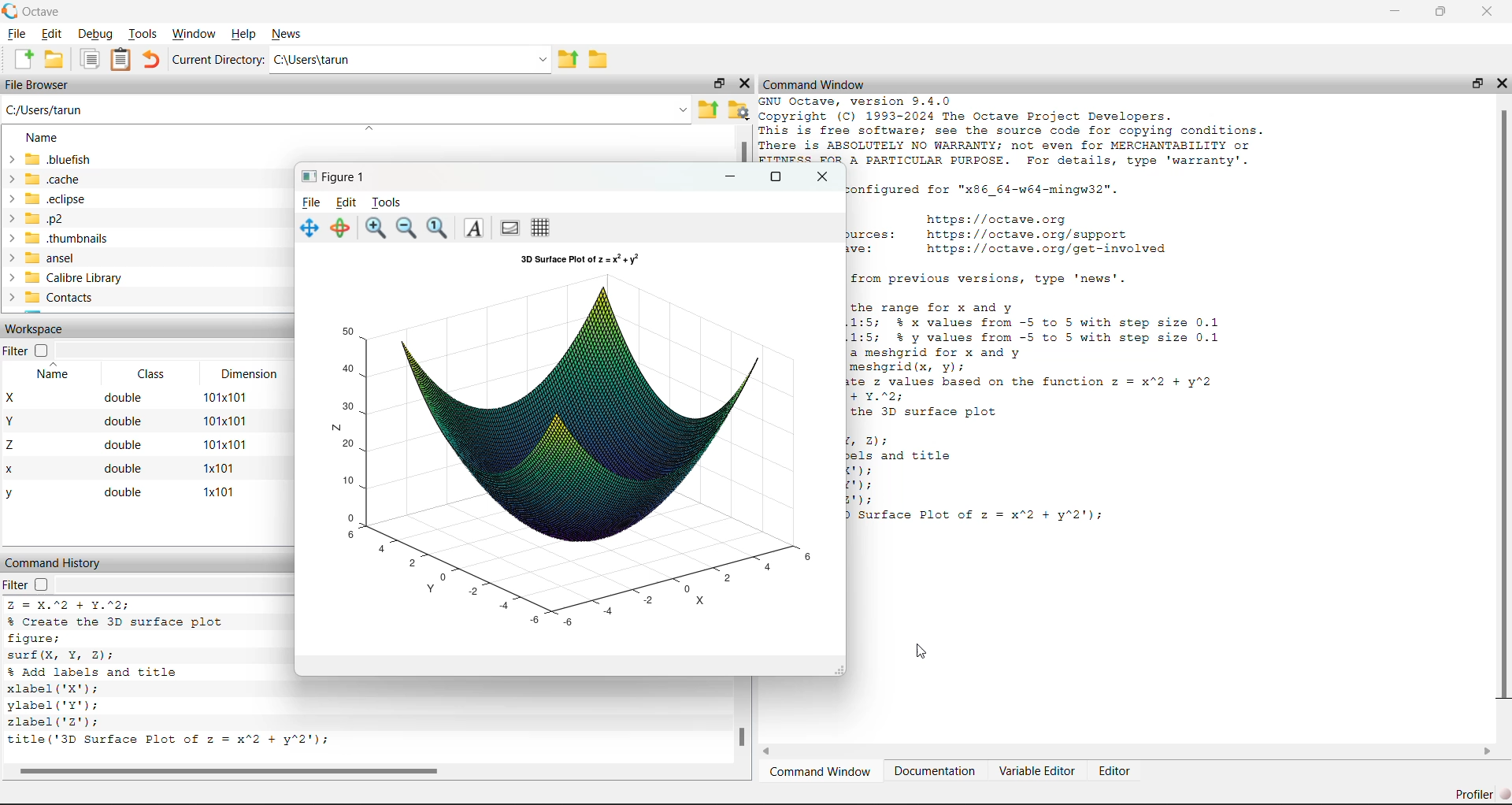 This screenshot has width=1512, height=805. I want to click on Parent Directory, so click(568, 58).